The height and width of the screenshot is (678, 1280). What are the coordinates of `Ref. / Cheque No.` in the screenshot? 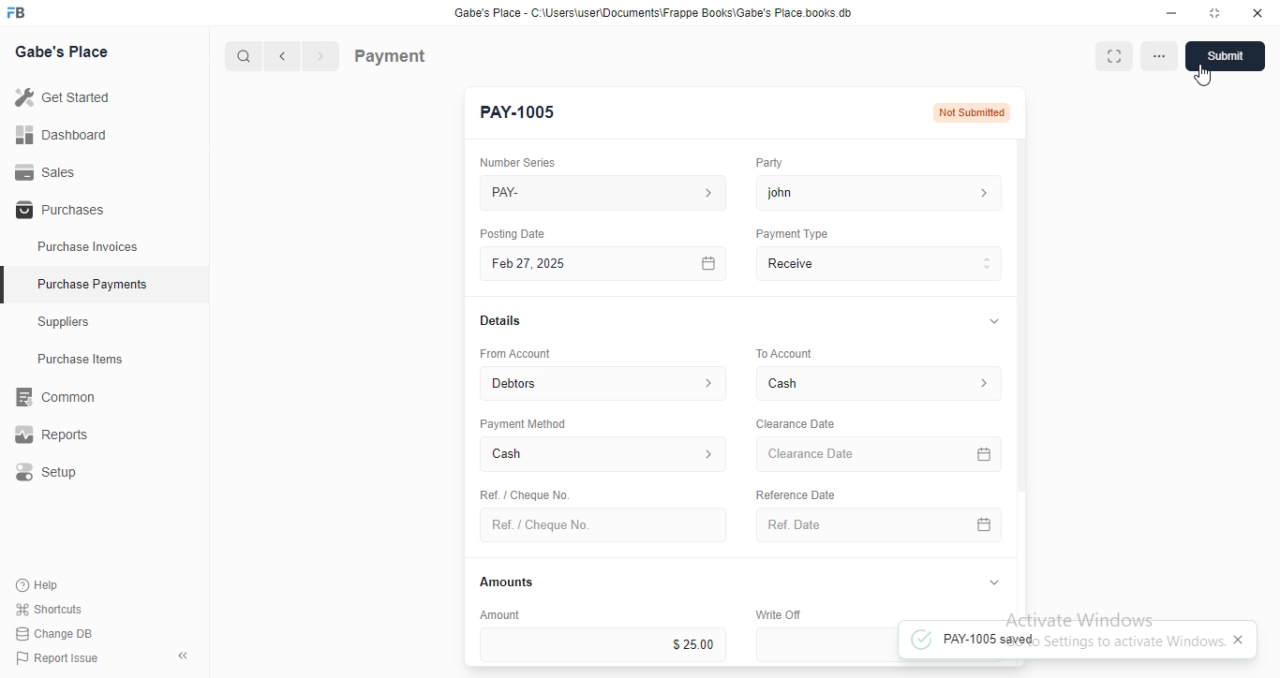 It's located at (602, 525).